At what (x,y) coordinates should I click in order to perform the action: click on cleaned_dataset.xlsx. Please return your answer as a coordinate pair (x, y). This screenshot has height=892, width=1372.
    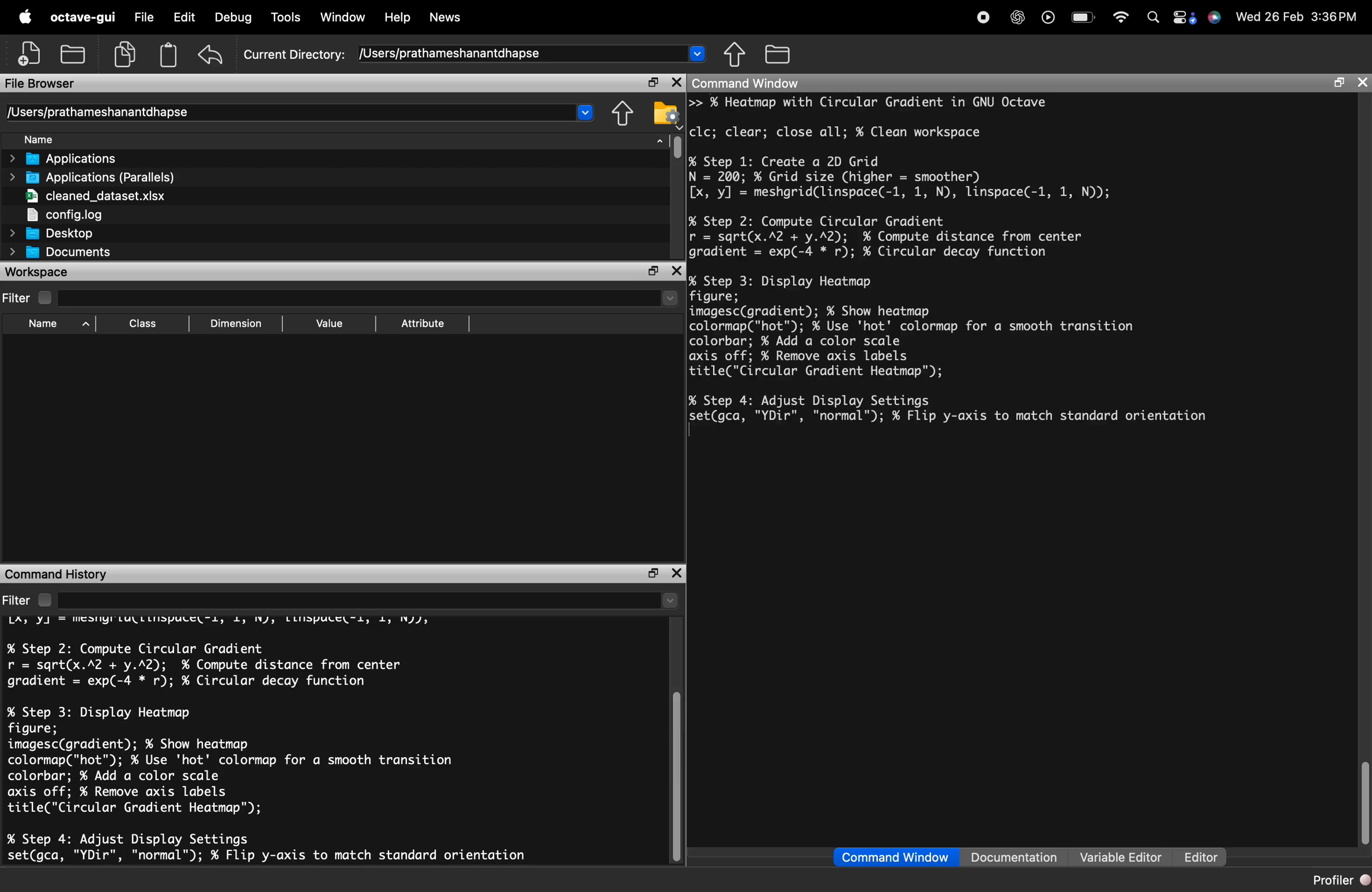
    Looking at the image, I should click on (95, 195).